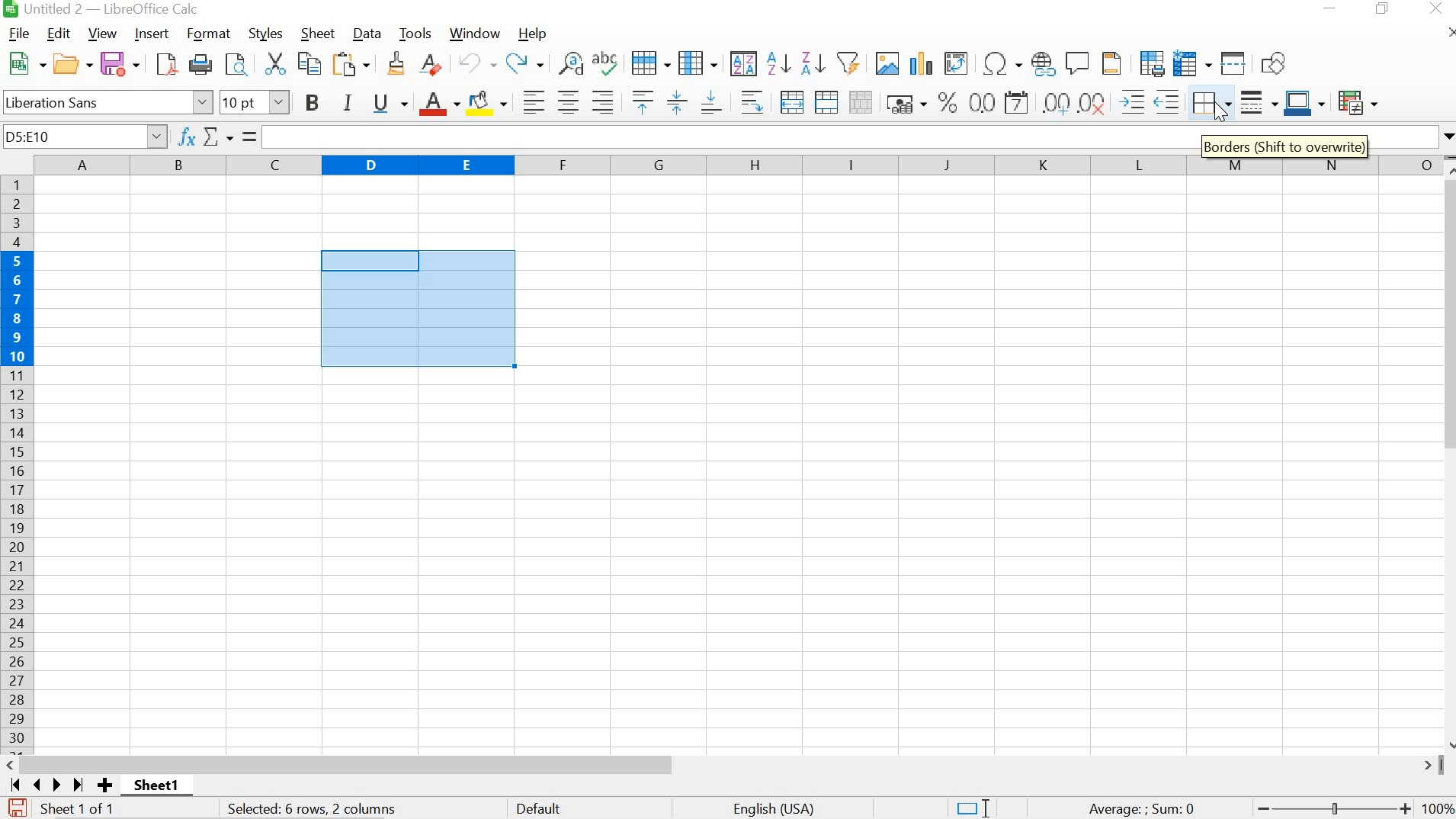  Describe the element at coordinates (1112, 64) in the screenshot. I see `headers and footers` at that location.